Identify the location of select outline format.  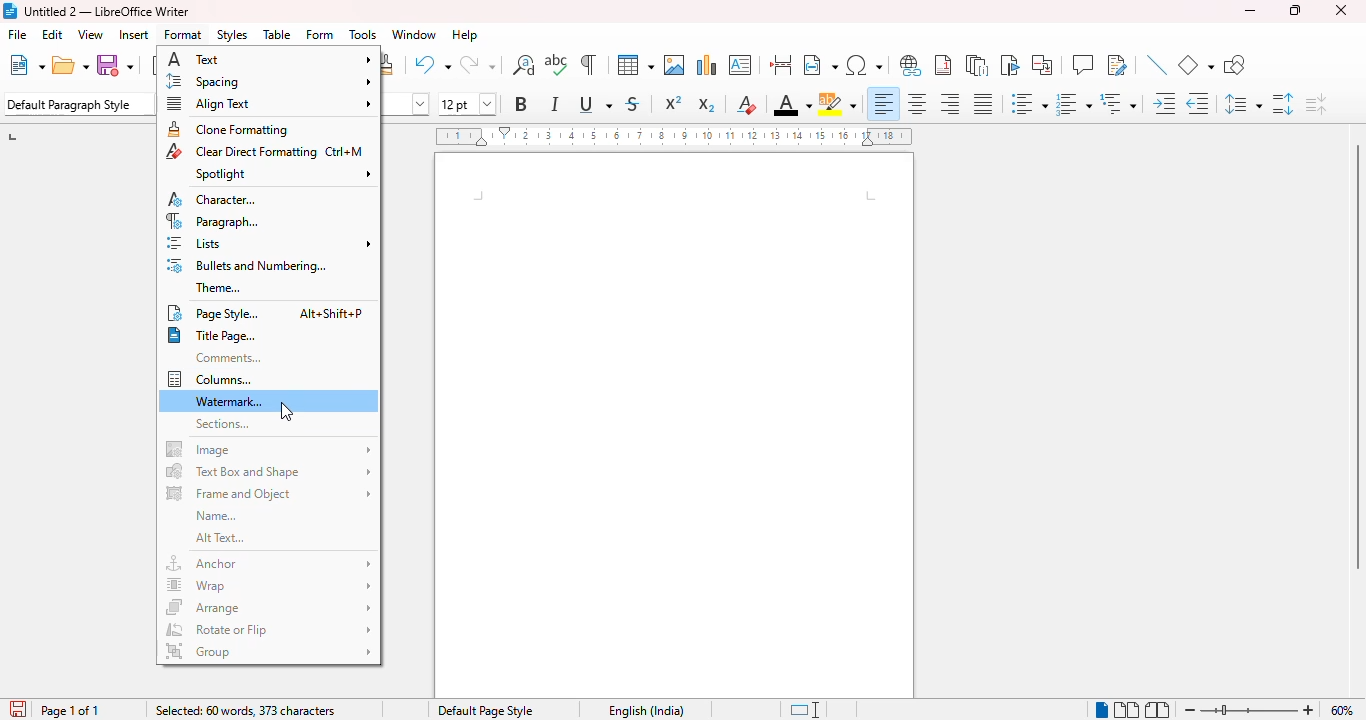
(1118, 104).